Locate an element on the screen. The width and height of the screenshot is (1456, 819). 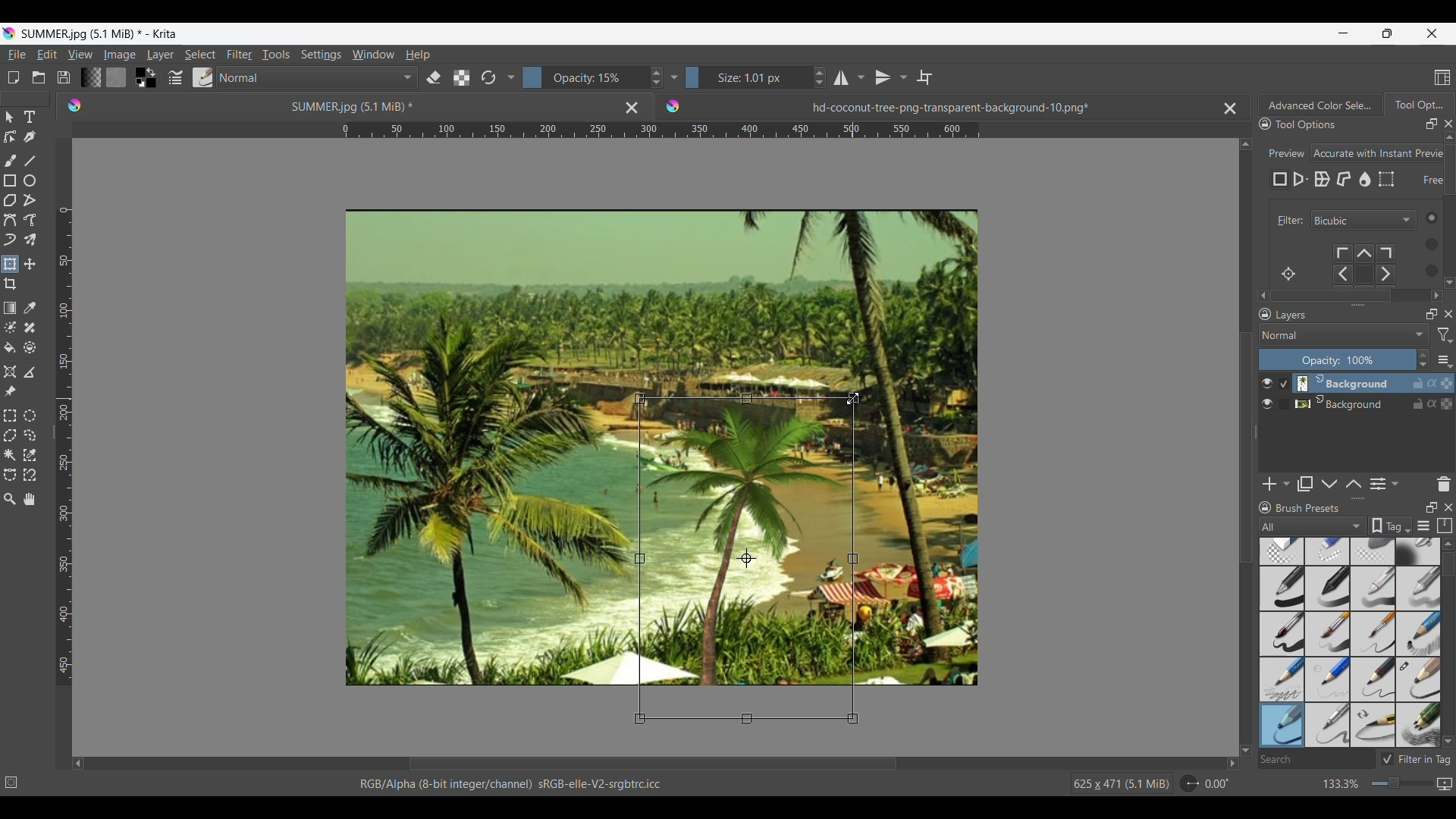
Rectangle tool is located at coordinates (9, 180).